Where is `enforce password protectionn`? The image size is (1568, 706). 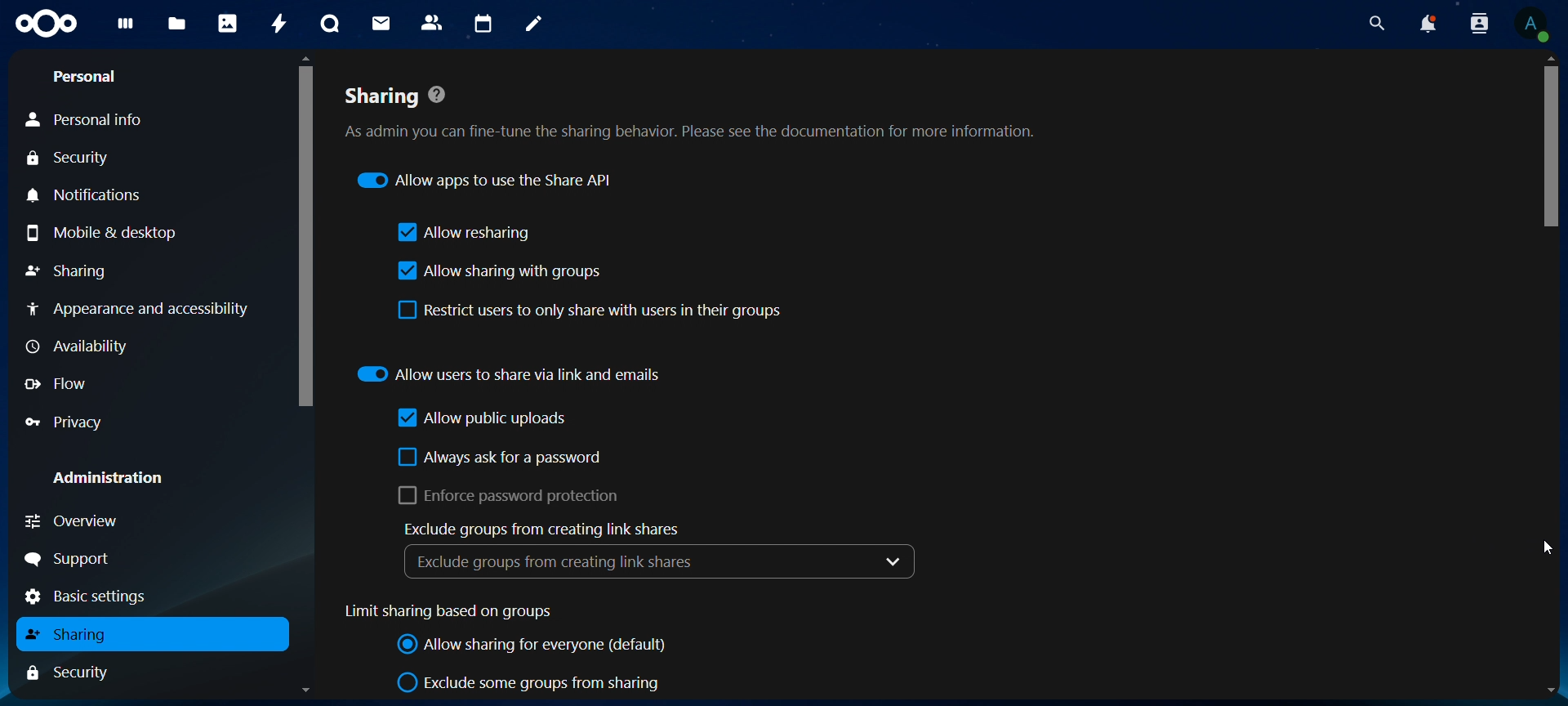 enforce password protectionn is located at coordinates (506, 494).